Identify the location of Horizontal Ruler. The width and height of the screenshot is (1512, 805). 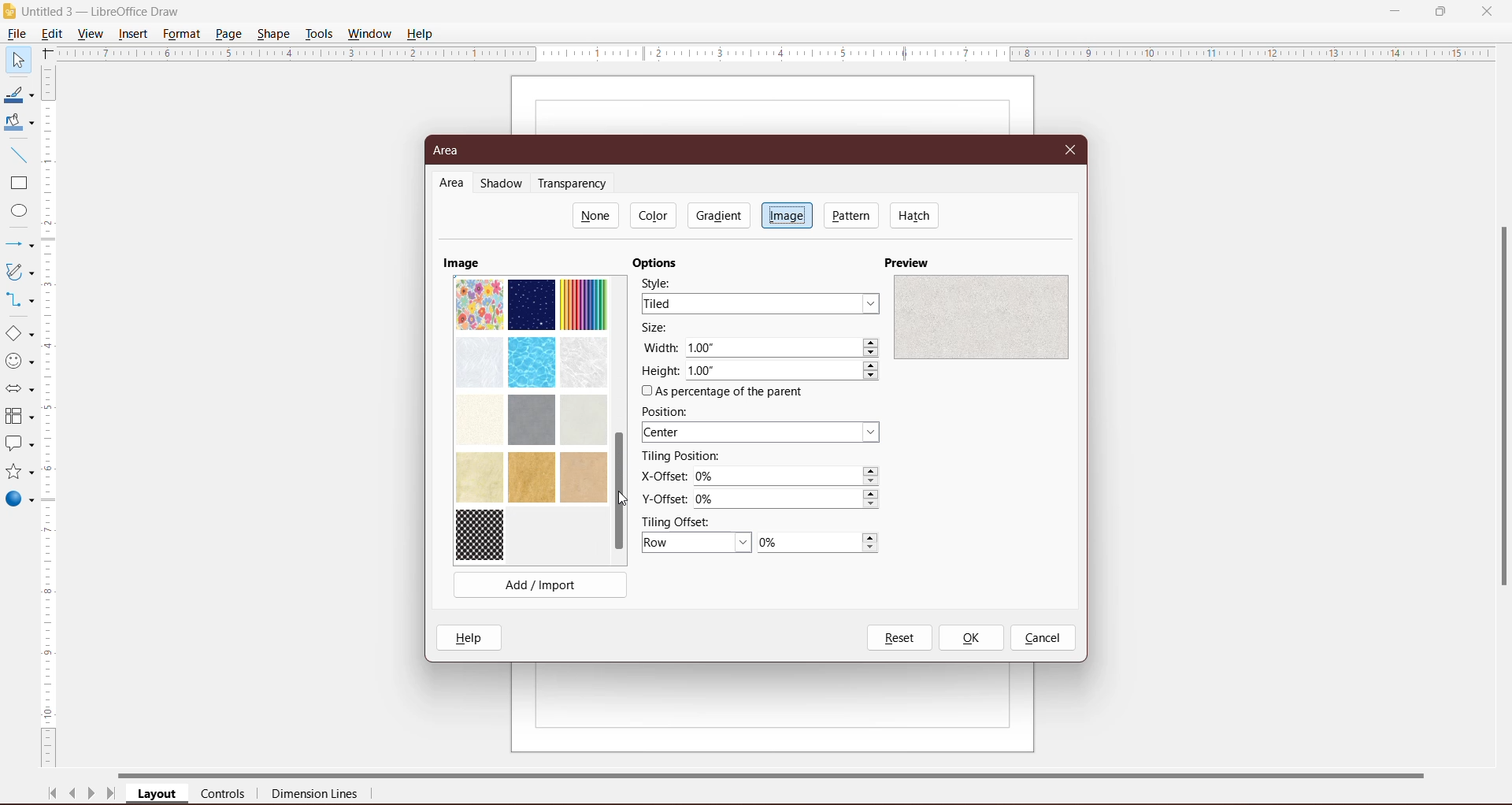
(776, 53).